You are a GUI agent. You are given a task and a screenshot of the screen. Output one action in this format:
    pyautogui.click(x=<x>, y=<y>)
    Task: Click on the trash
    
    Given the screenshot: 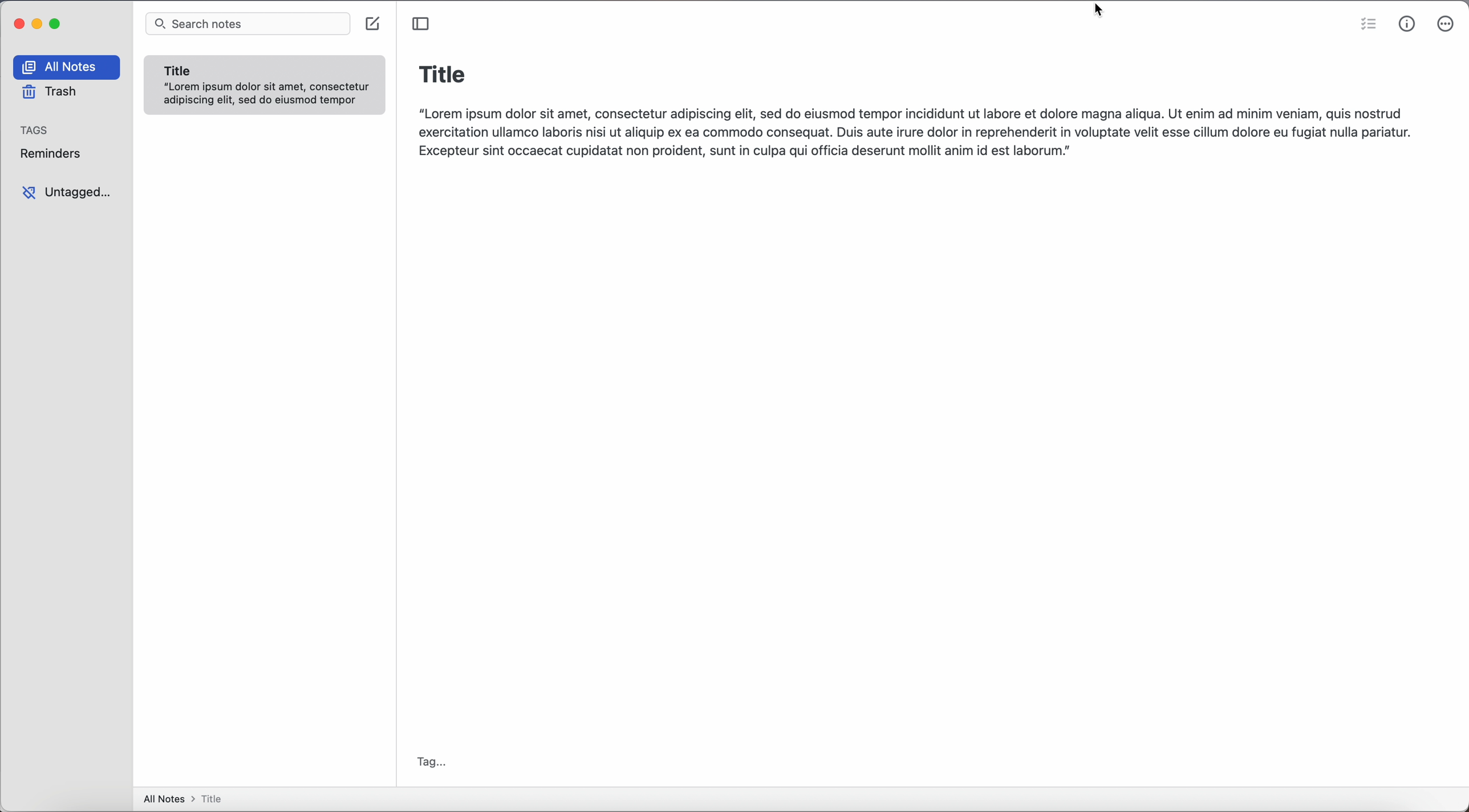 What is the action you would take?
    pyautogui.click(x=48, y=92)
    